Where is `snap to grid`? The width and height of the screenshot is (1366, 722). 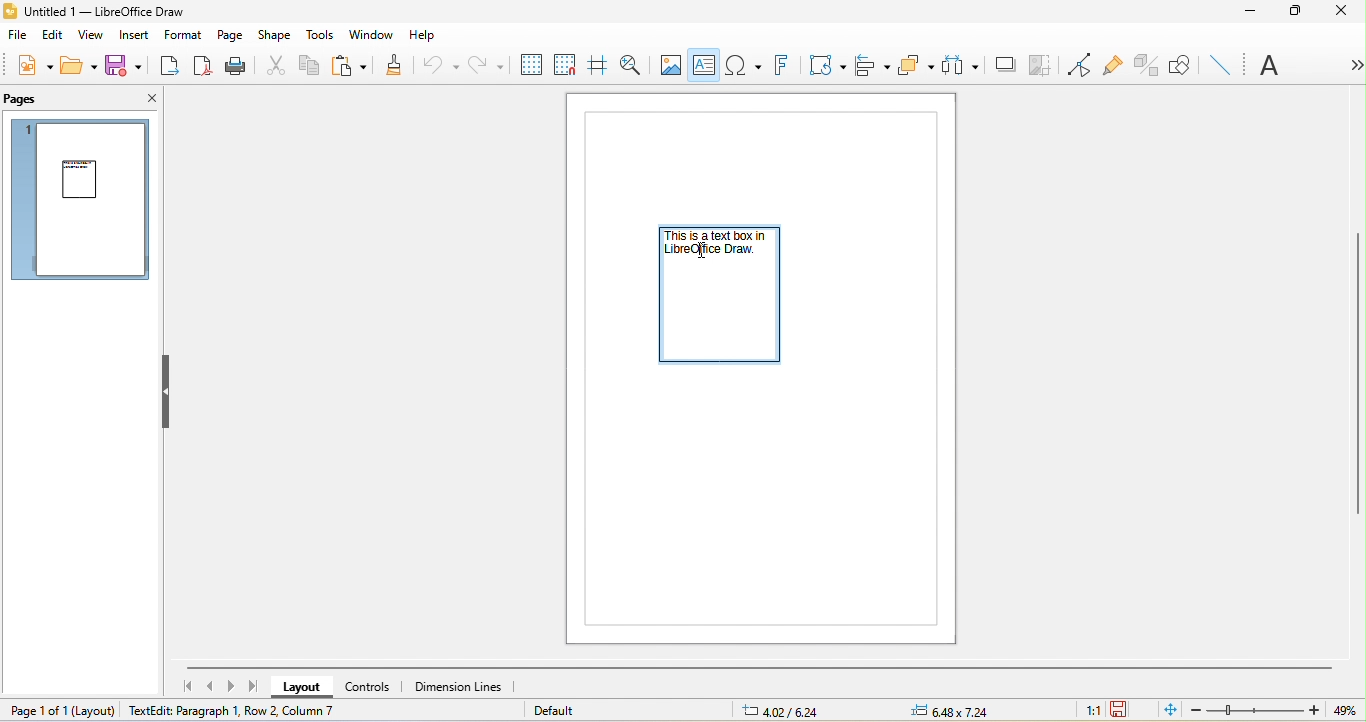 snap to grid is located at coordinates (563, 66).